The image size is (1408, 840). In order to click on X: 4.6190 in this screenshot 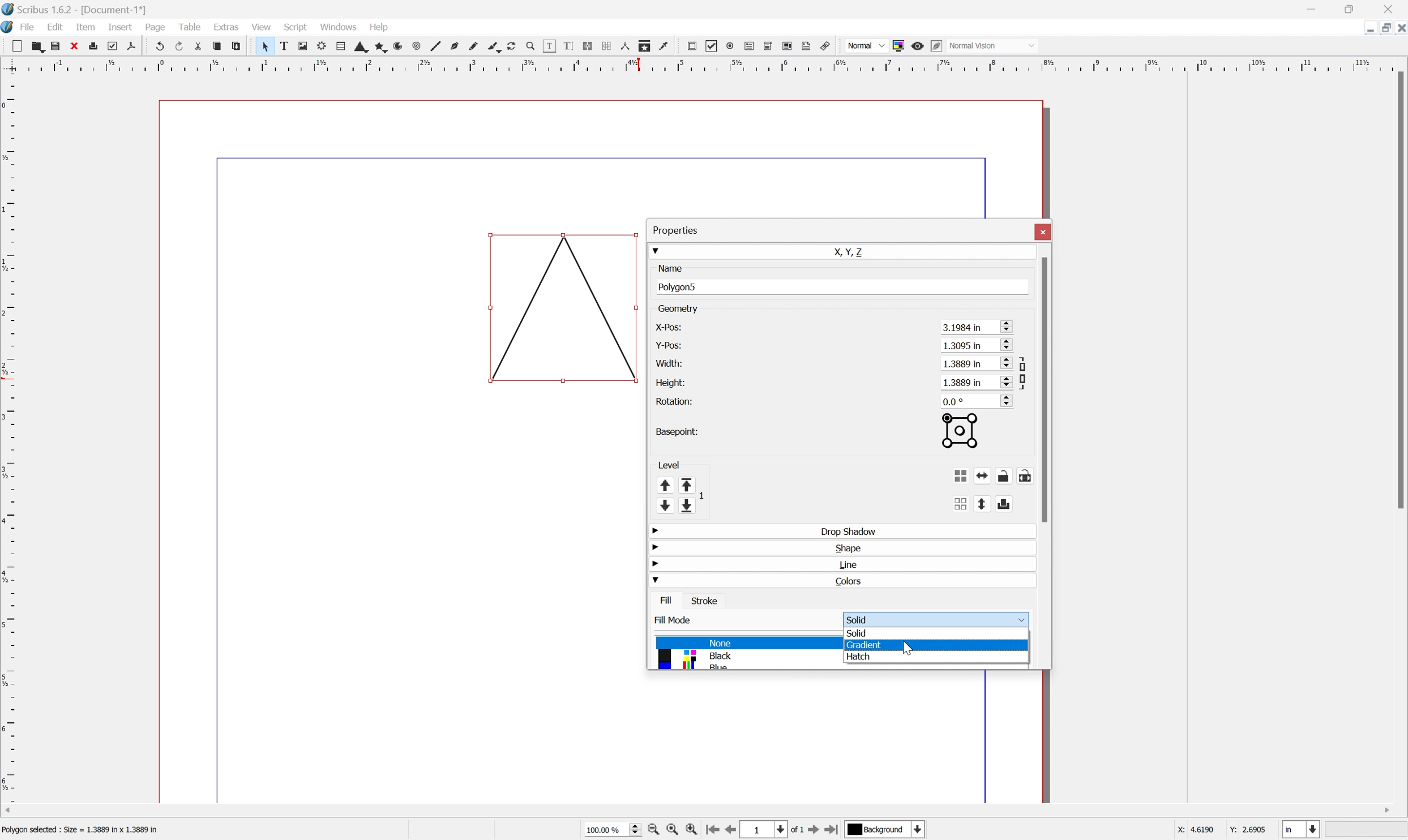, I will do `click(1192, 830)`.